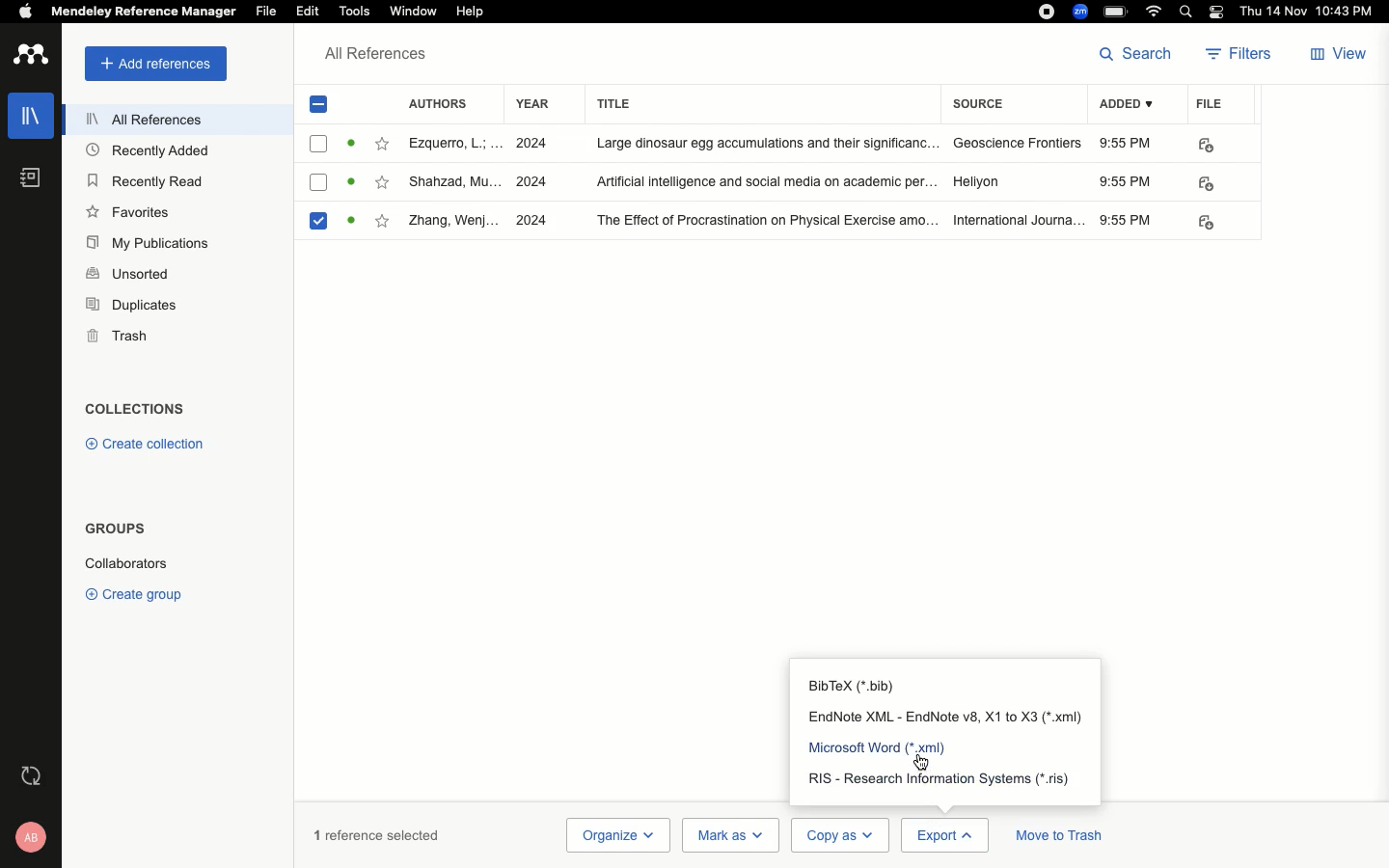 The width and height of the screenshot is (1389, 868). Describe the element at coordinates (34, 775) in the screenshot. I see `Last sync` at that location.